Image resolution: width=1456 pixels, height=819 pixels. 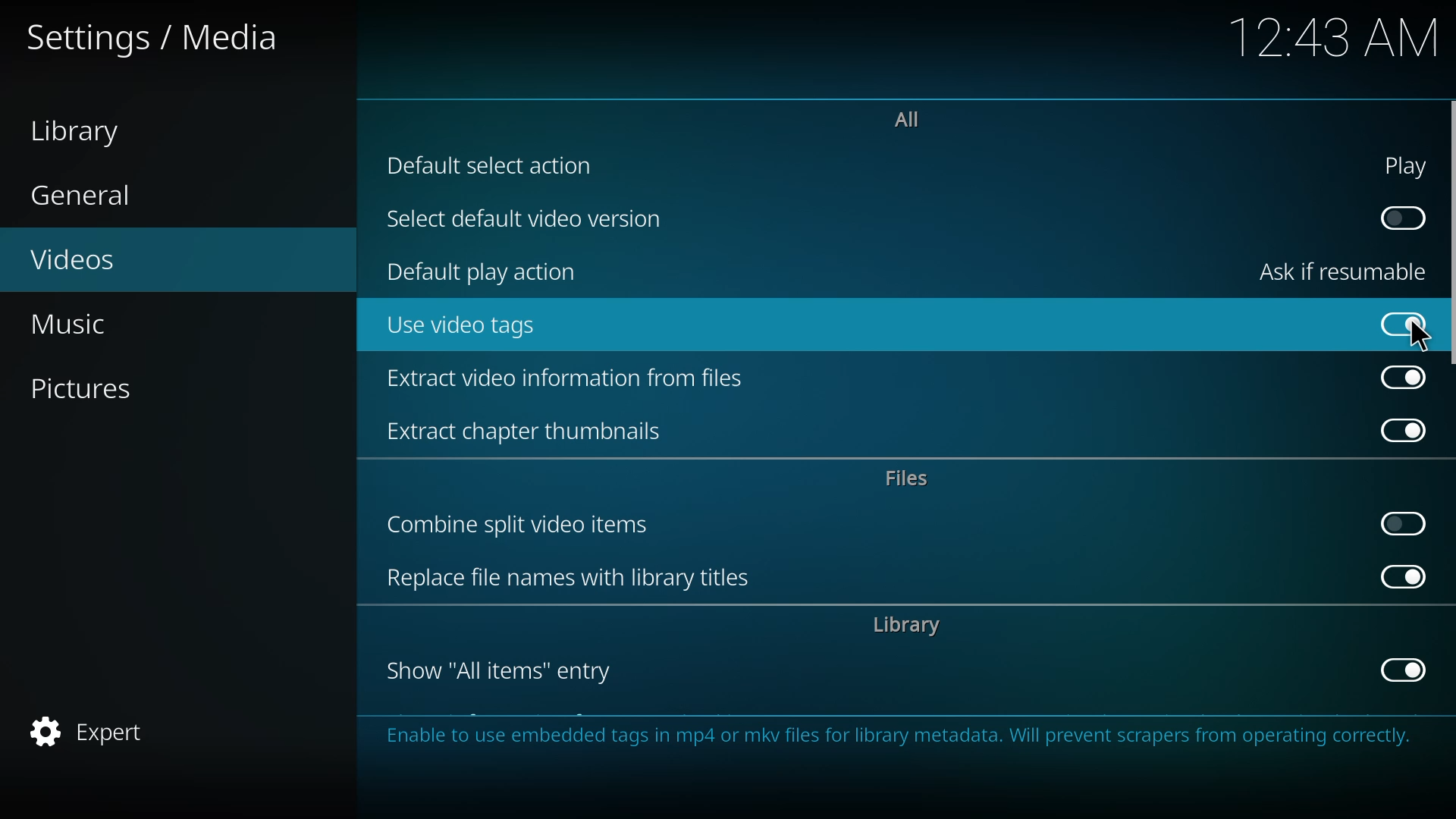 I want to click on settings media, so click(x=161, y=39).